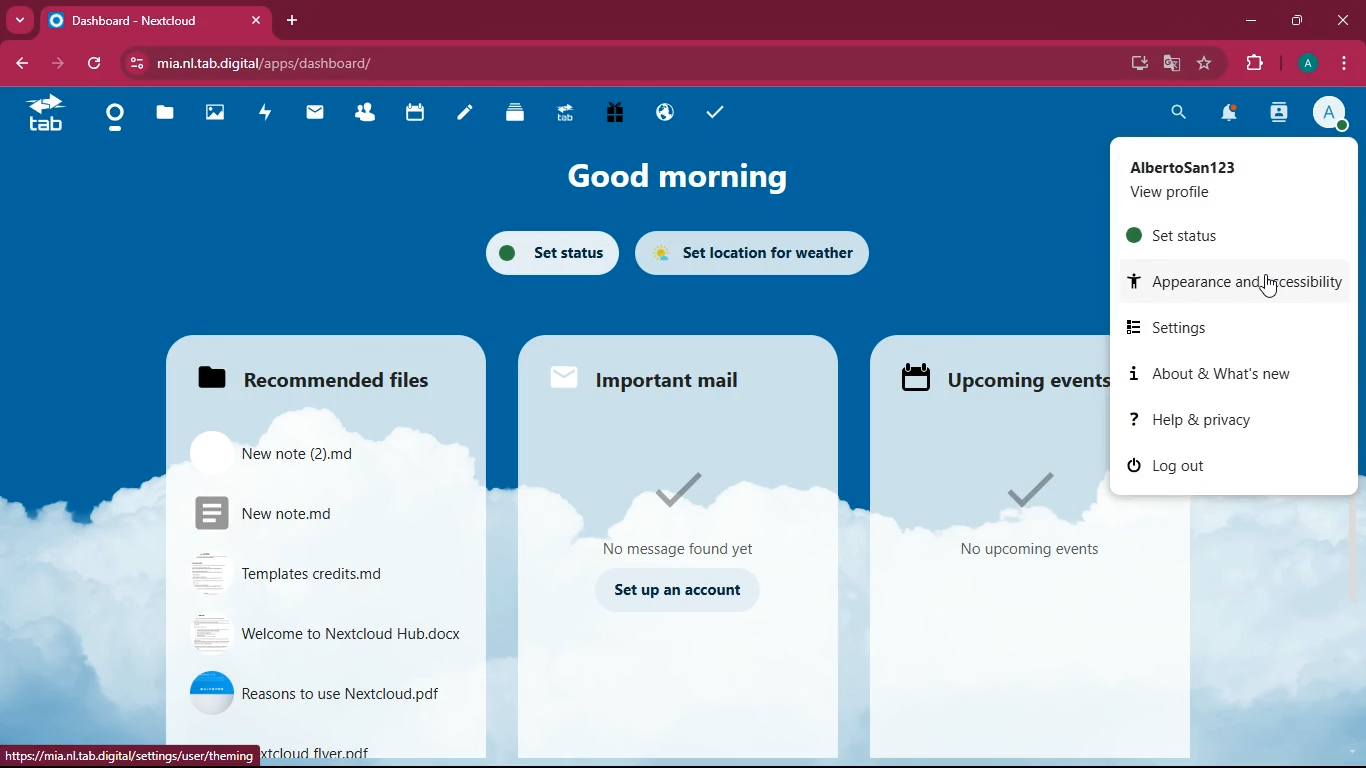 Image resolution: width=1366 pixels, height=768 pixels. What do you see at coordinates (1216, 235) in the screenshot?
I see `set status` at bounding box center [1216, 235].